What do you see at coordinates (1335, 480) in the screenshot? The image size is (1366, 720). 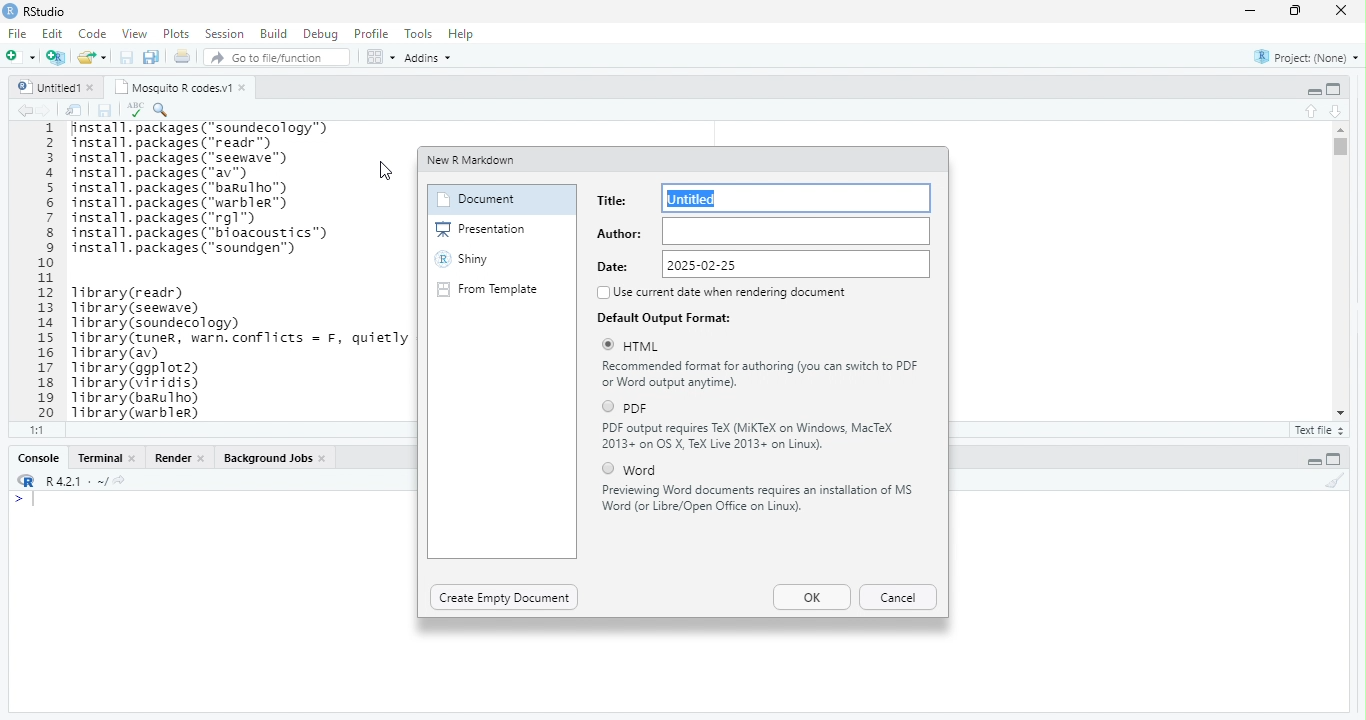 I see `clean` at bounding box center [1335, 480].